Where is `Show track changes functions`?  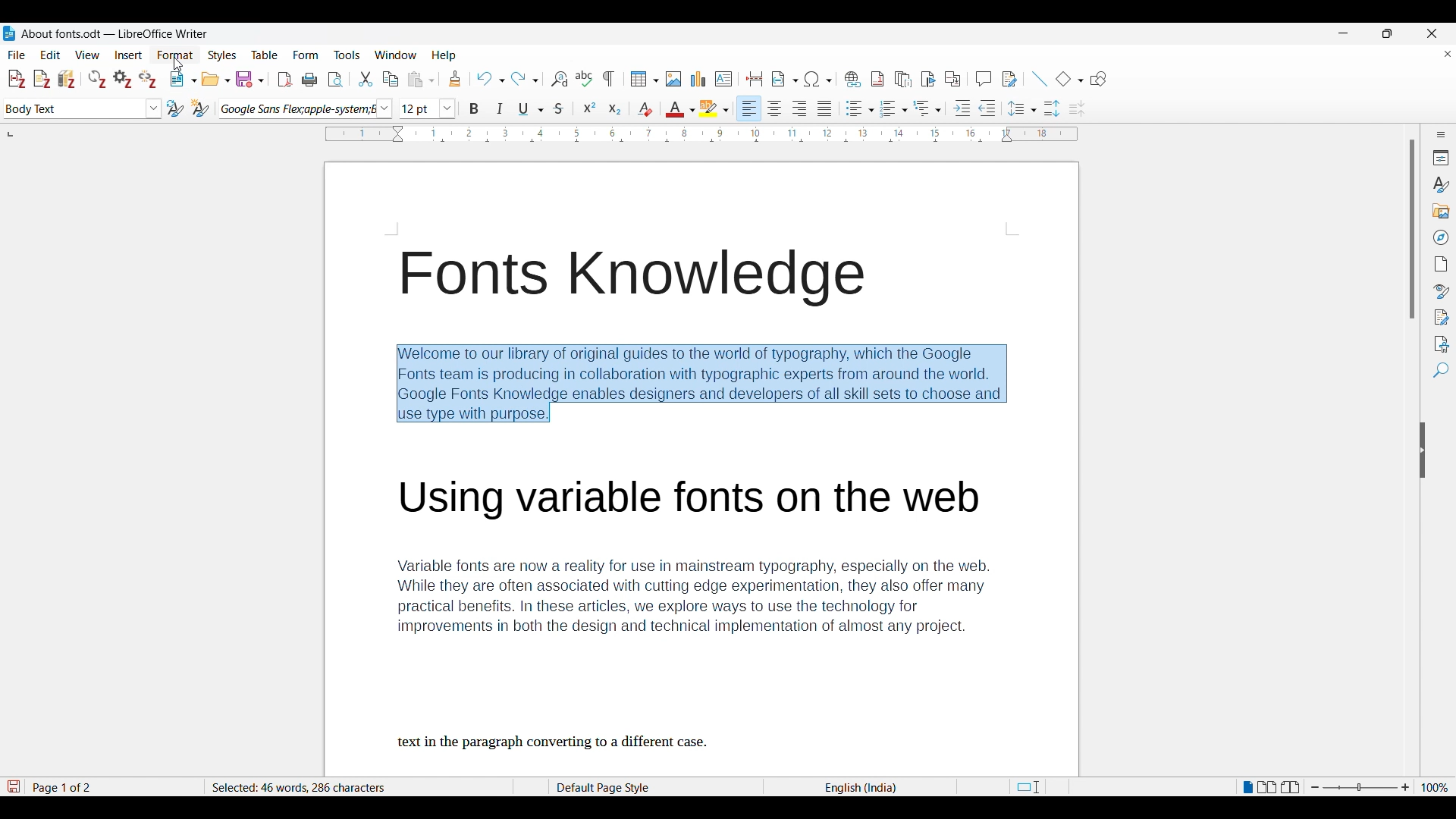
Show track changes functions is located at coordinates (1009, 79).